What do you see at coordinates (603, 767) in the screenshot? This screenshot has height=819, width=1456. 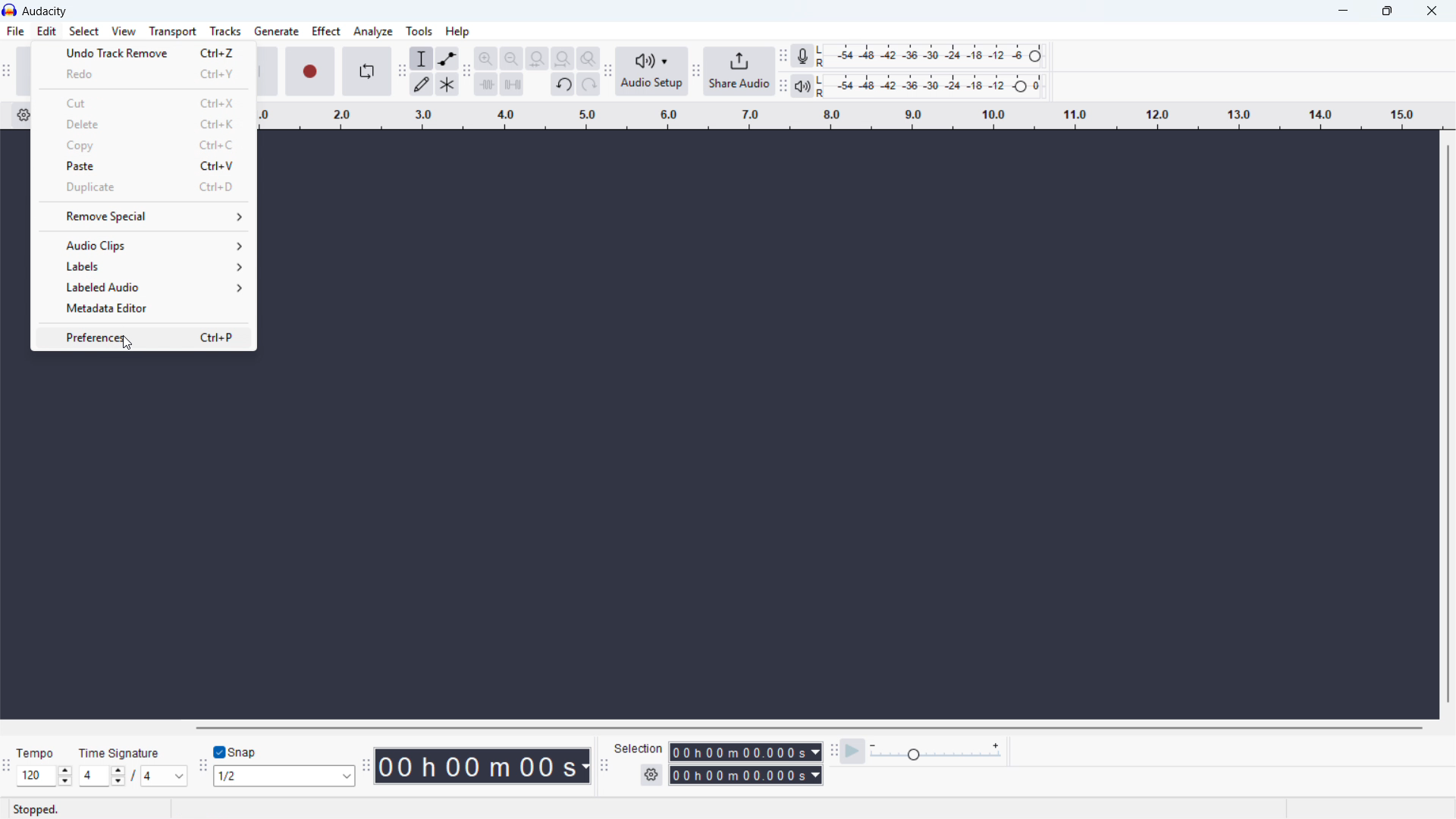 I see `selection toolbar` at bounding box center [603, 767].